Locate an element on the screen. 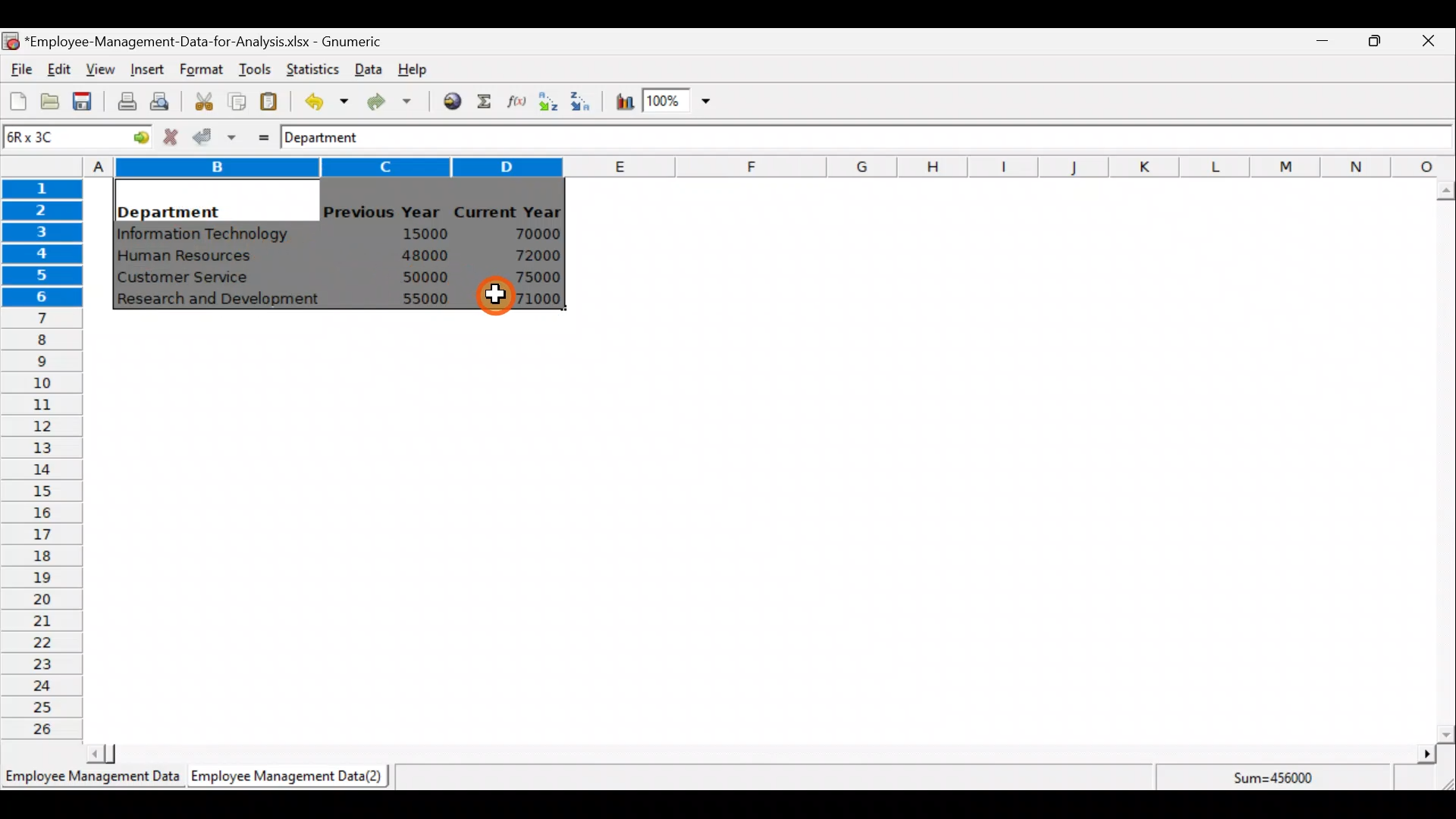 This screenshot has width=1456, height=819. Edit is located at coordinates (60, 71).